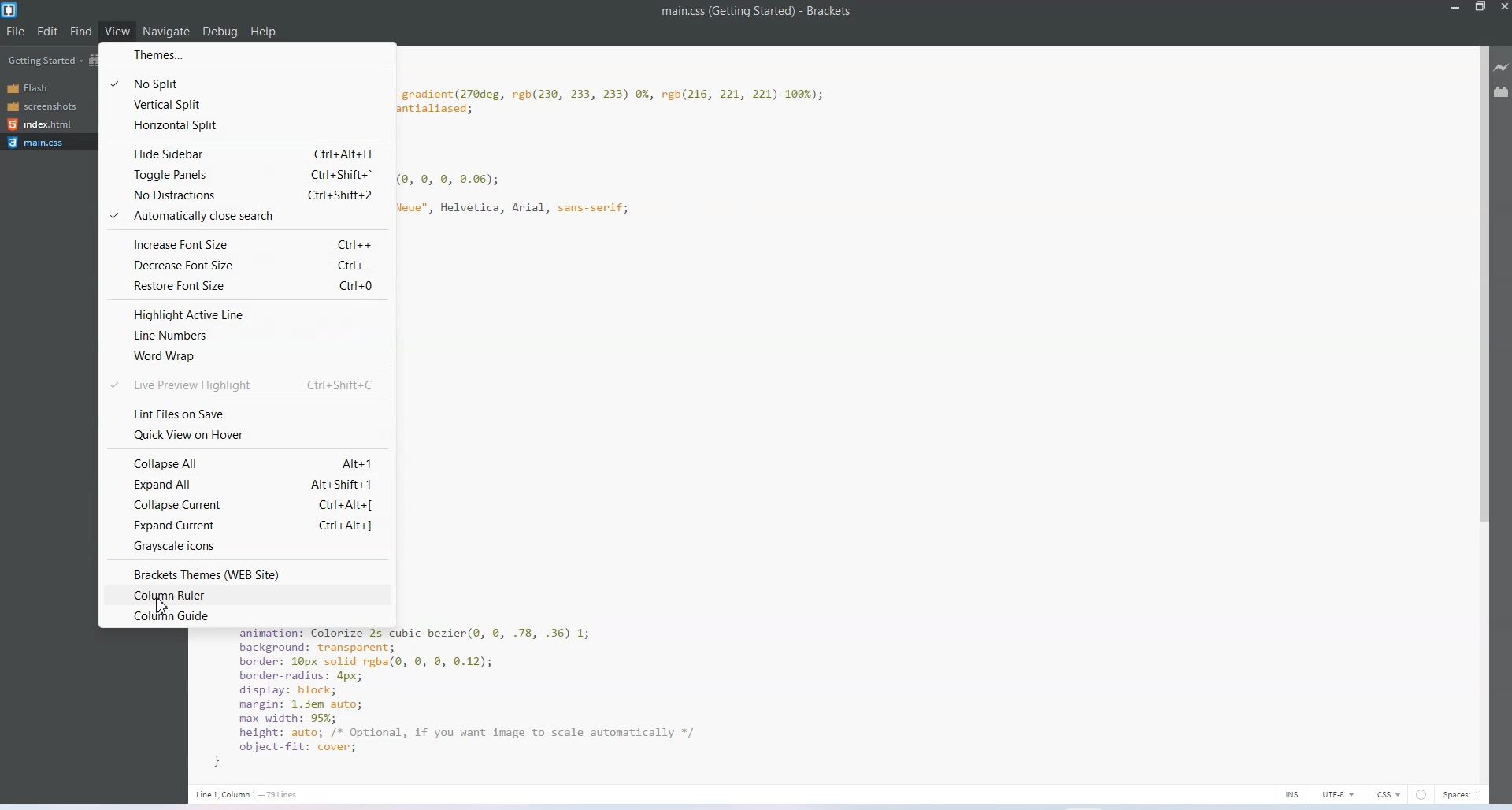 The width and height of the screenshot is (1512, 810). What do you see at coordinates (245, 216) in the screenshot?
I see `Automatically close search` at bounding box center [245, 216].